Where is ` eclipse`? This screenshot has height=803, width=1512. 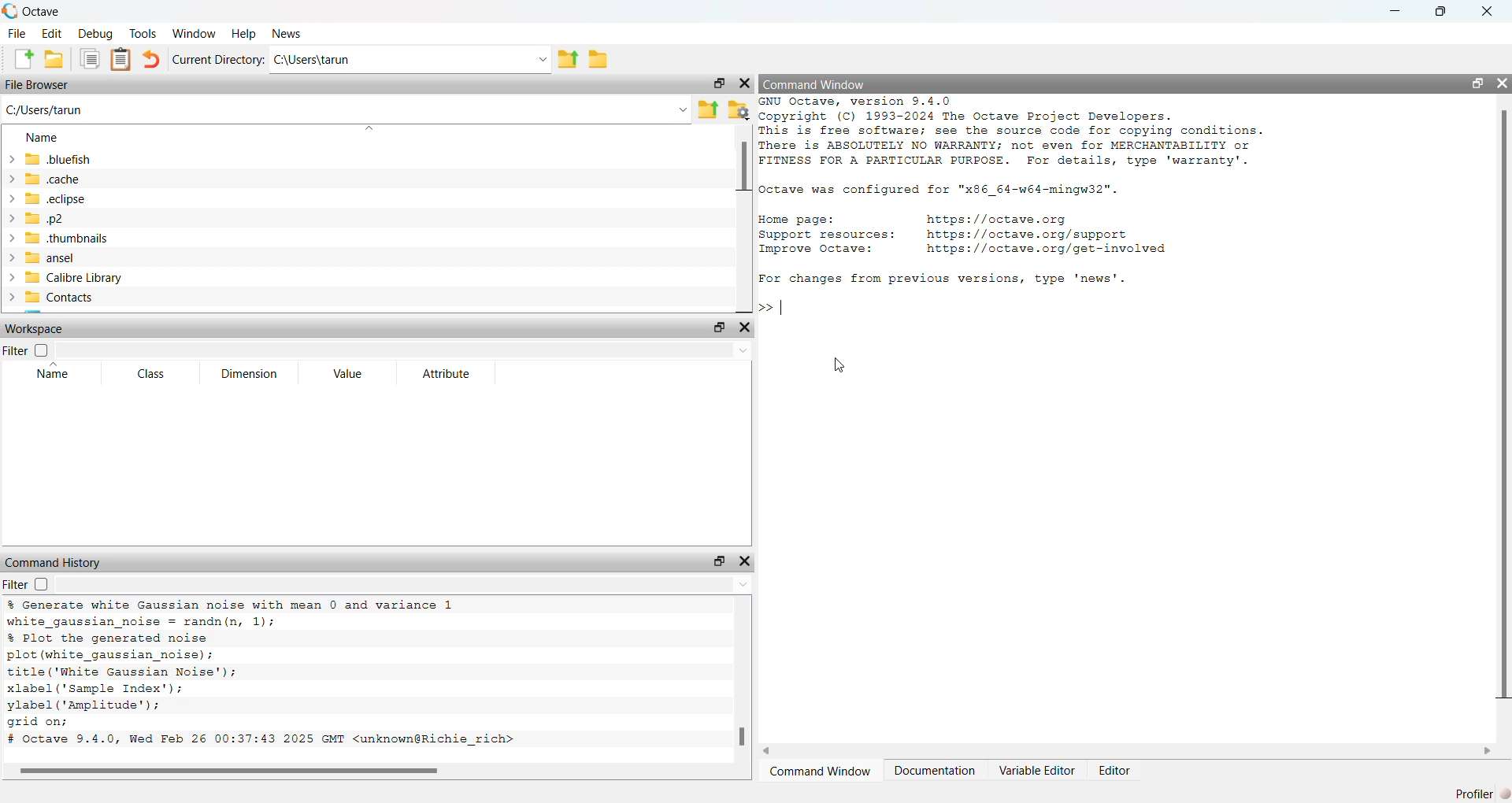
 eclipse is located at coordinates (49, 200).